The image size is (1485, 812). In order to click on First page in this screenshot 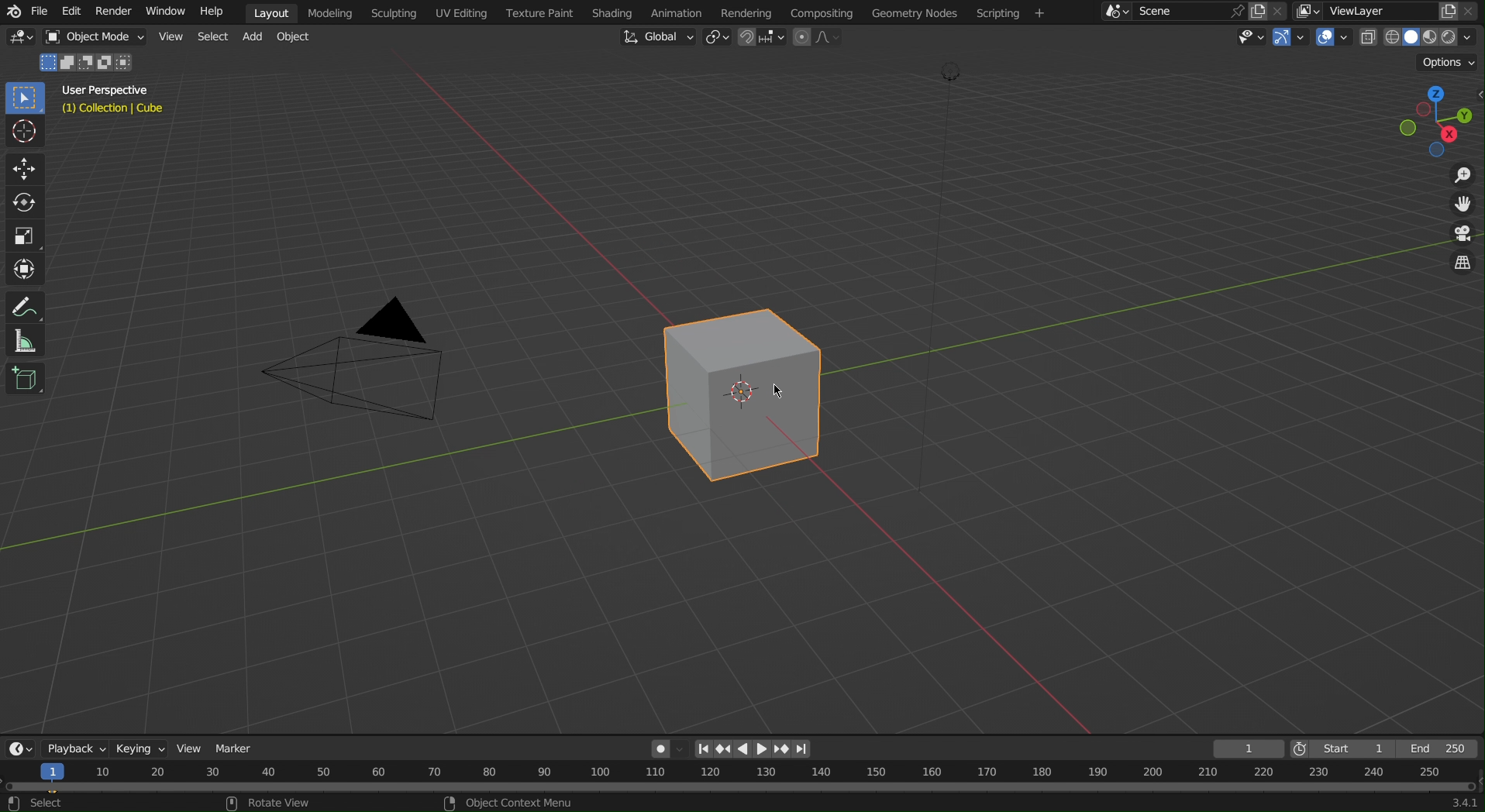, I will do `click(701, 749)`.